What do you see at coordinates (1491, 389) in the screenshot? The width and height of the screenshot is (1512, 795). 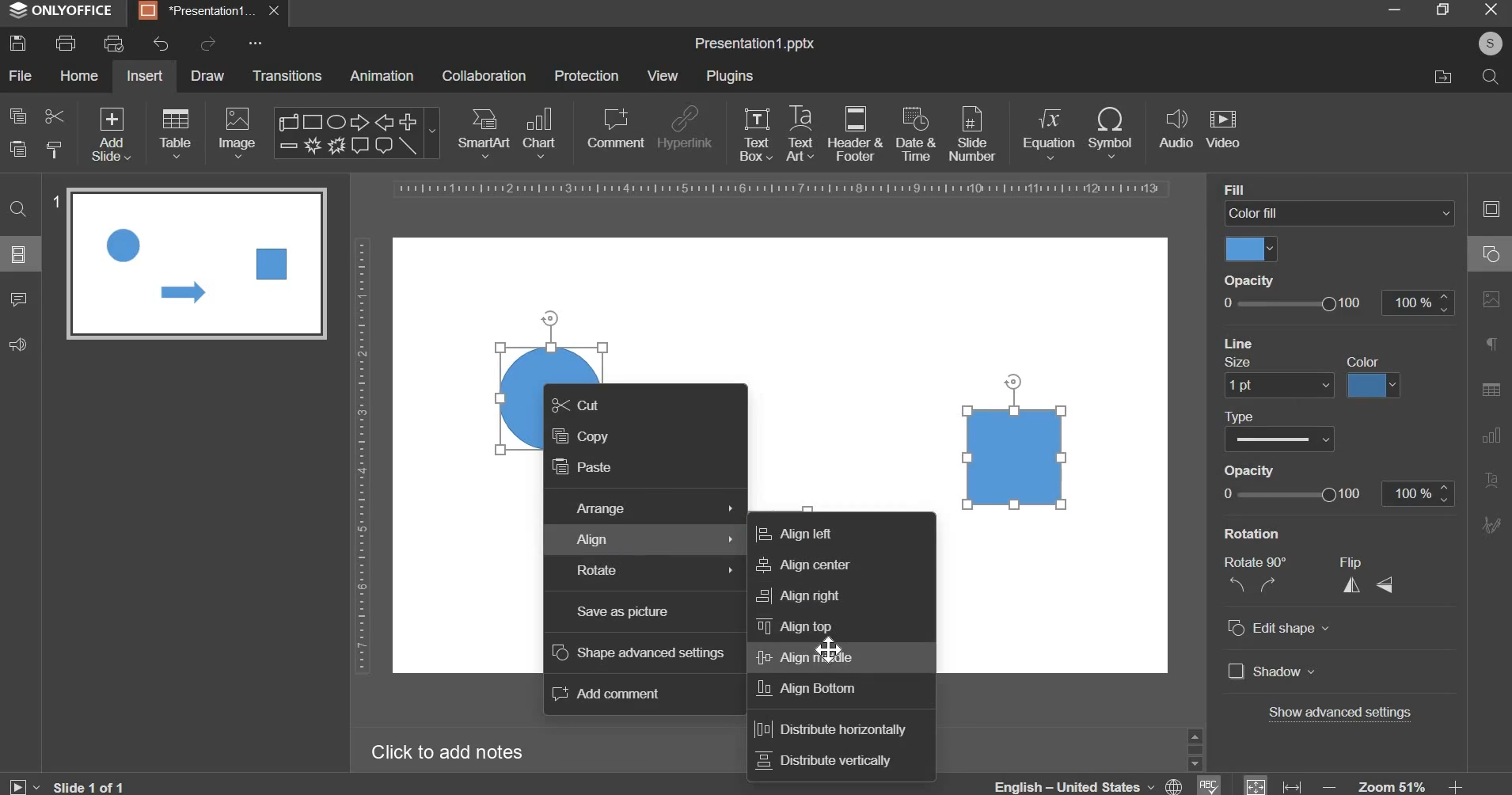 I see `table setting` at bounding box center [1491, 389].